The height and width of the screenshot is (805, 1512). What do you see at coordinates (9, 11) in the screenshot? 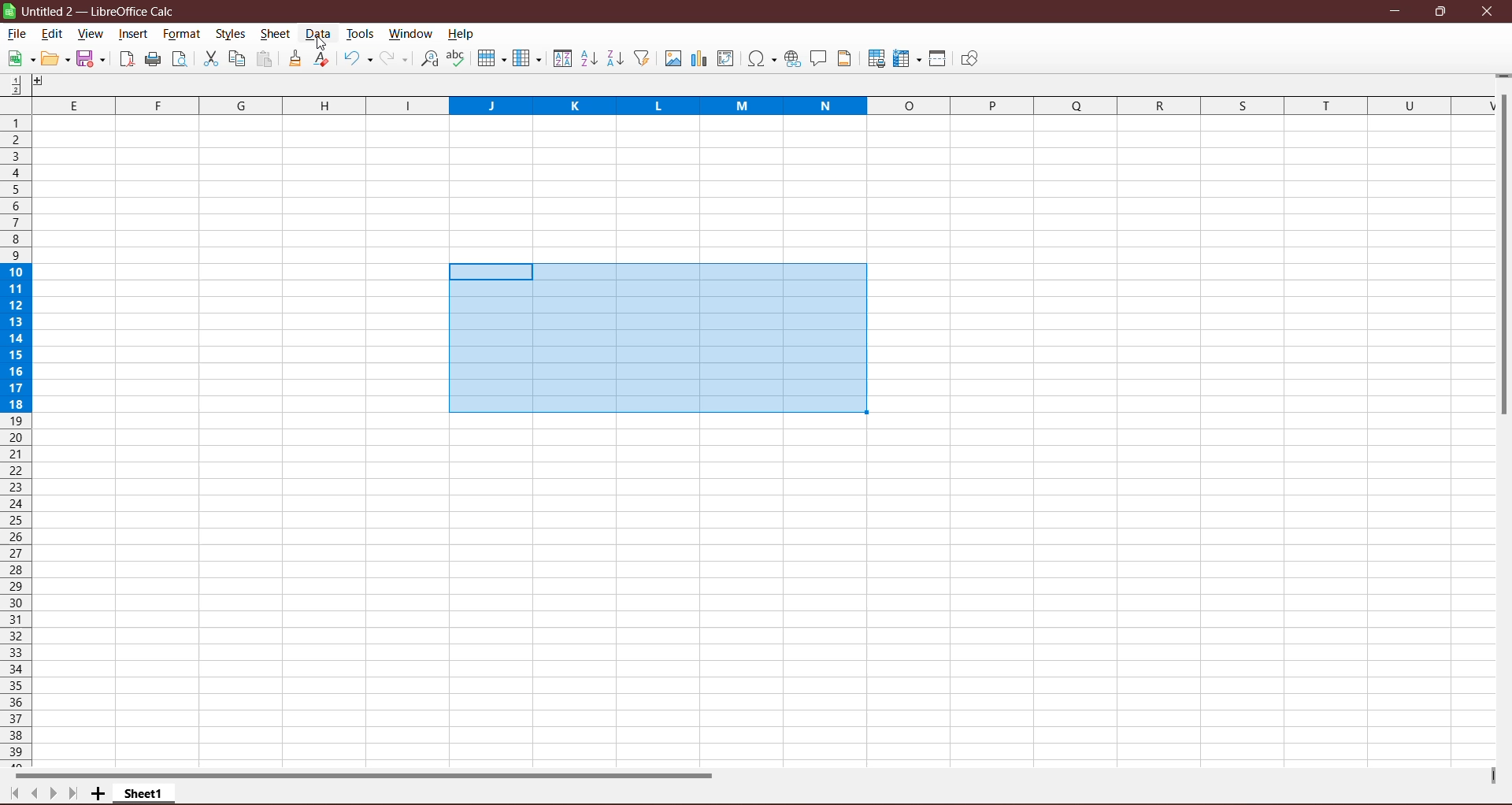
I see `Application Logo` at bounding box center [9, 11].